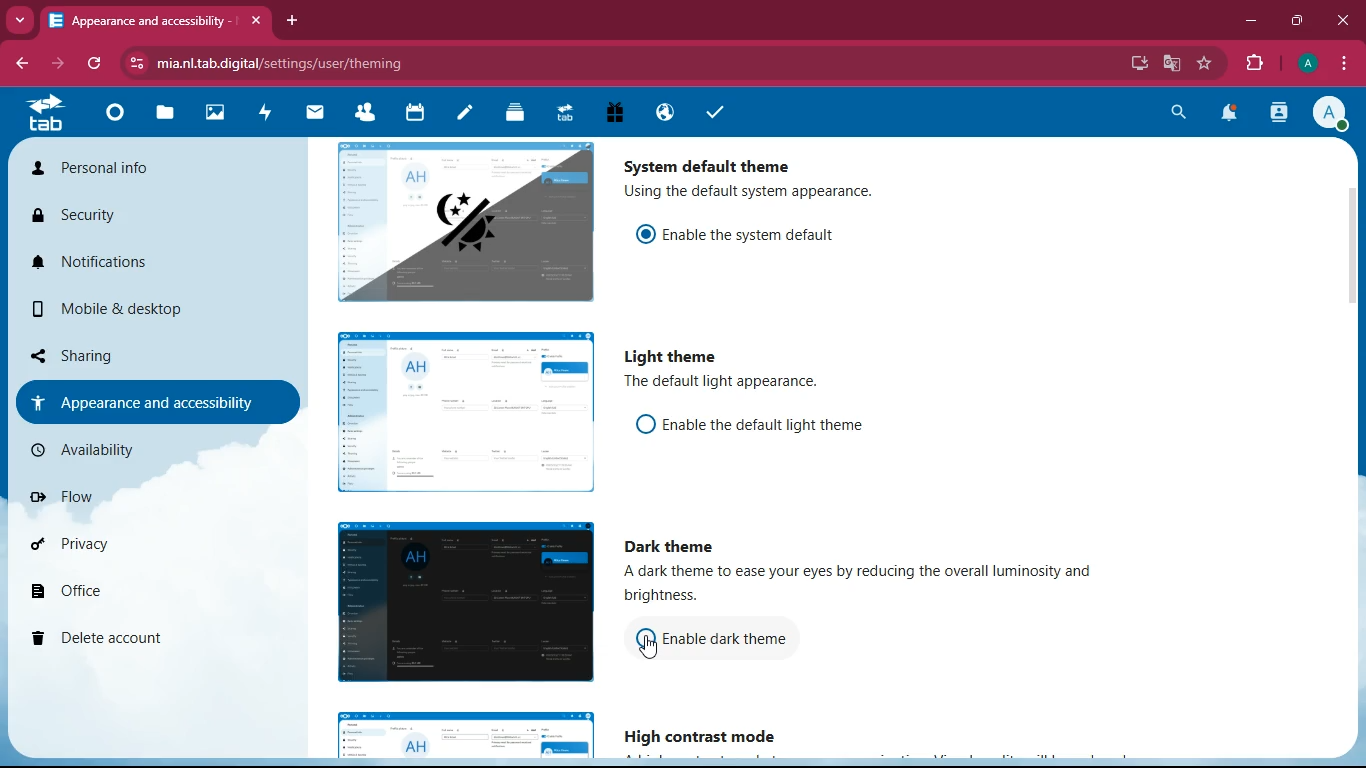 This screenshot has height=768, width=1366. I want to click on forward, so click(60, 64).